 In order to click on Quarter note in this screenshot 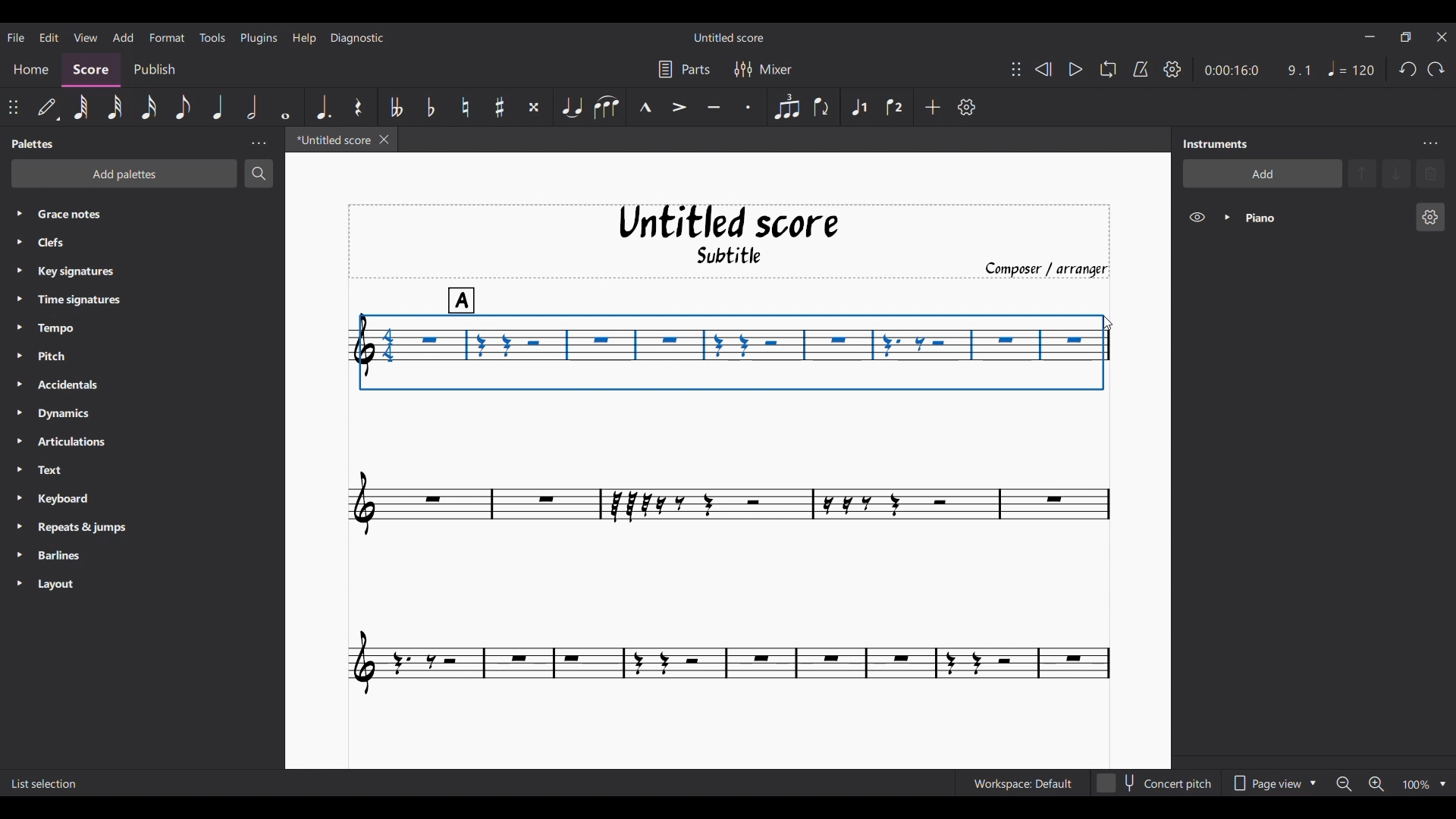, I will do `click(218, 107)`.